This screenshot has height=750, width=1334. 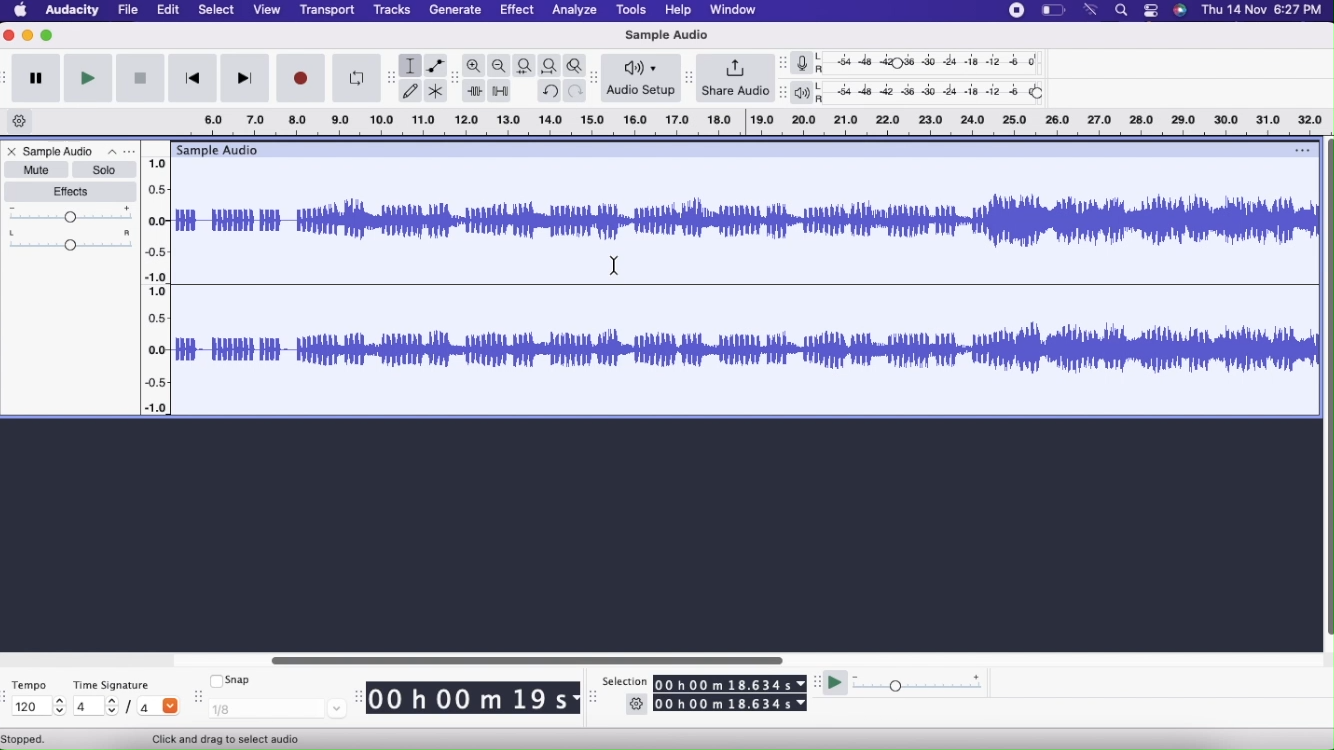 I want to click on Analyze, so click(x=572, y=11).